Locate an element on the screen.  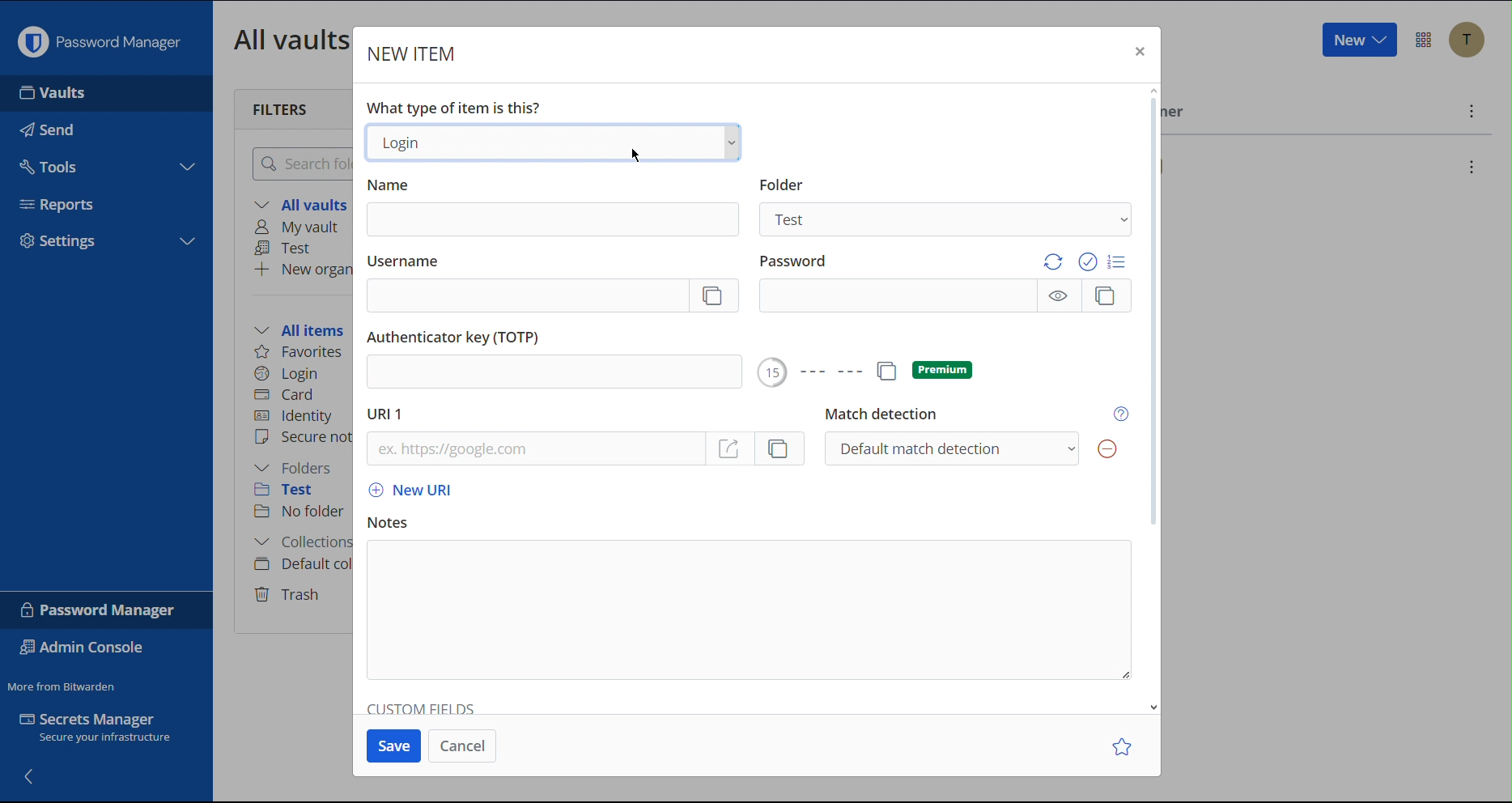
Password is located at coordinates (796, 261).